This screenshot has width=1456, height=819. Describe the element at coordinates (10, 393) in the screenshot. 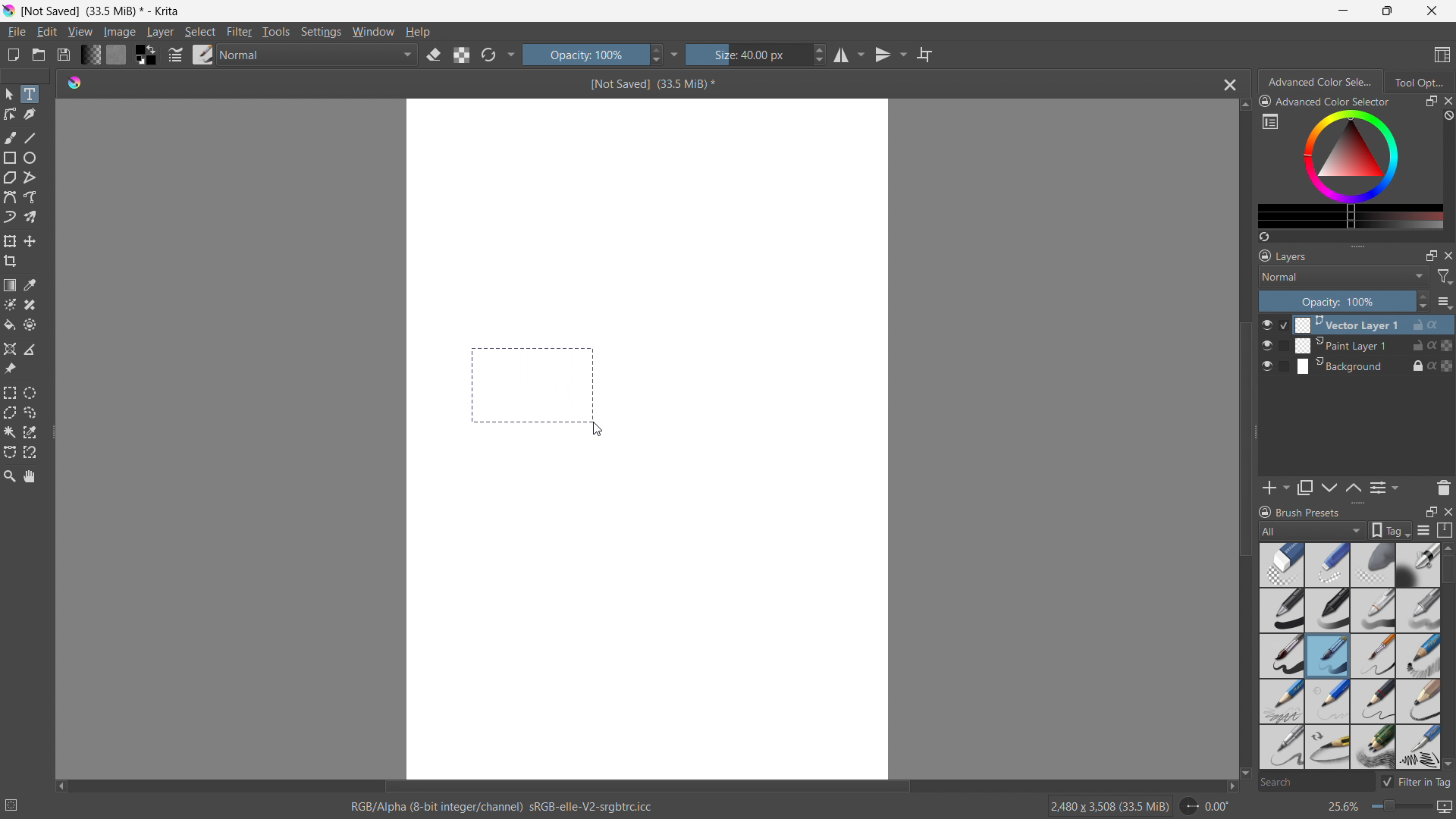

I see `rectangular selection tool` at that location.